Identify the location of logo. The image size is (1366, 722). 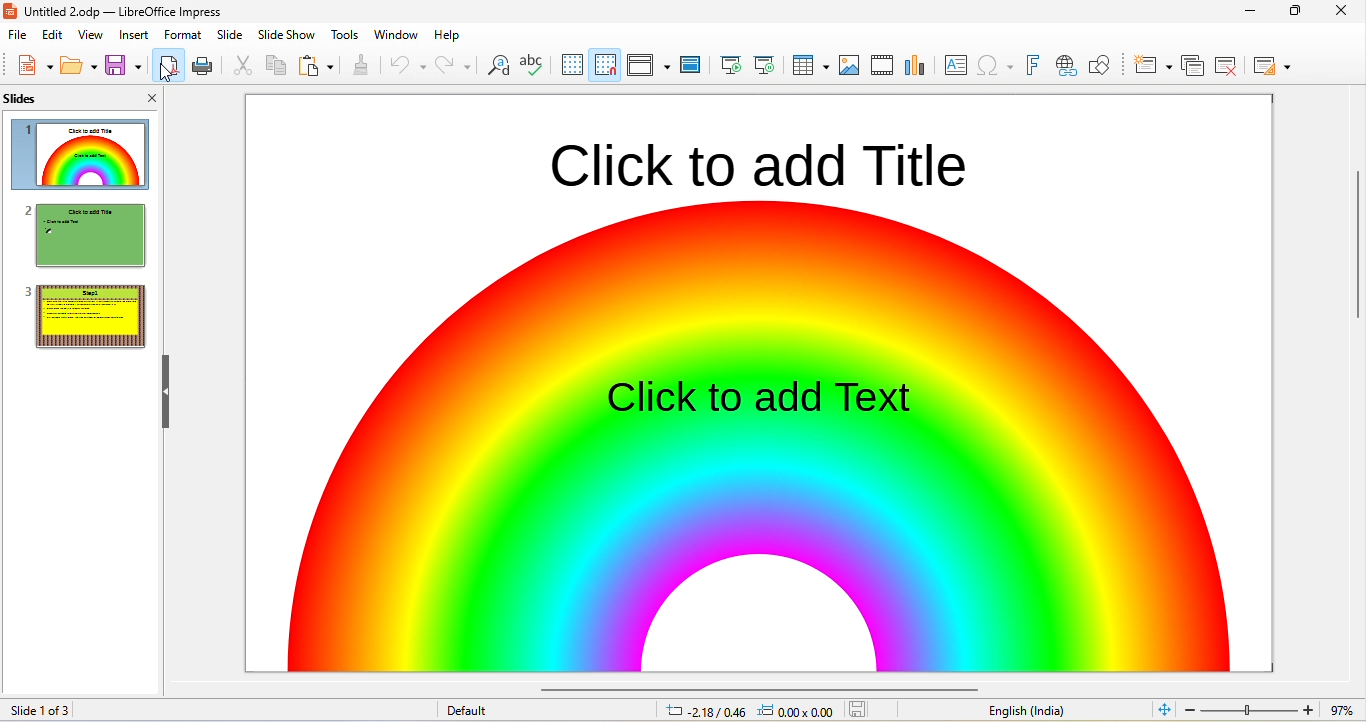
(14, 10).